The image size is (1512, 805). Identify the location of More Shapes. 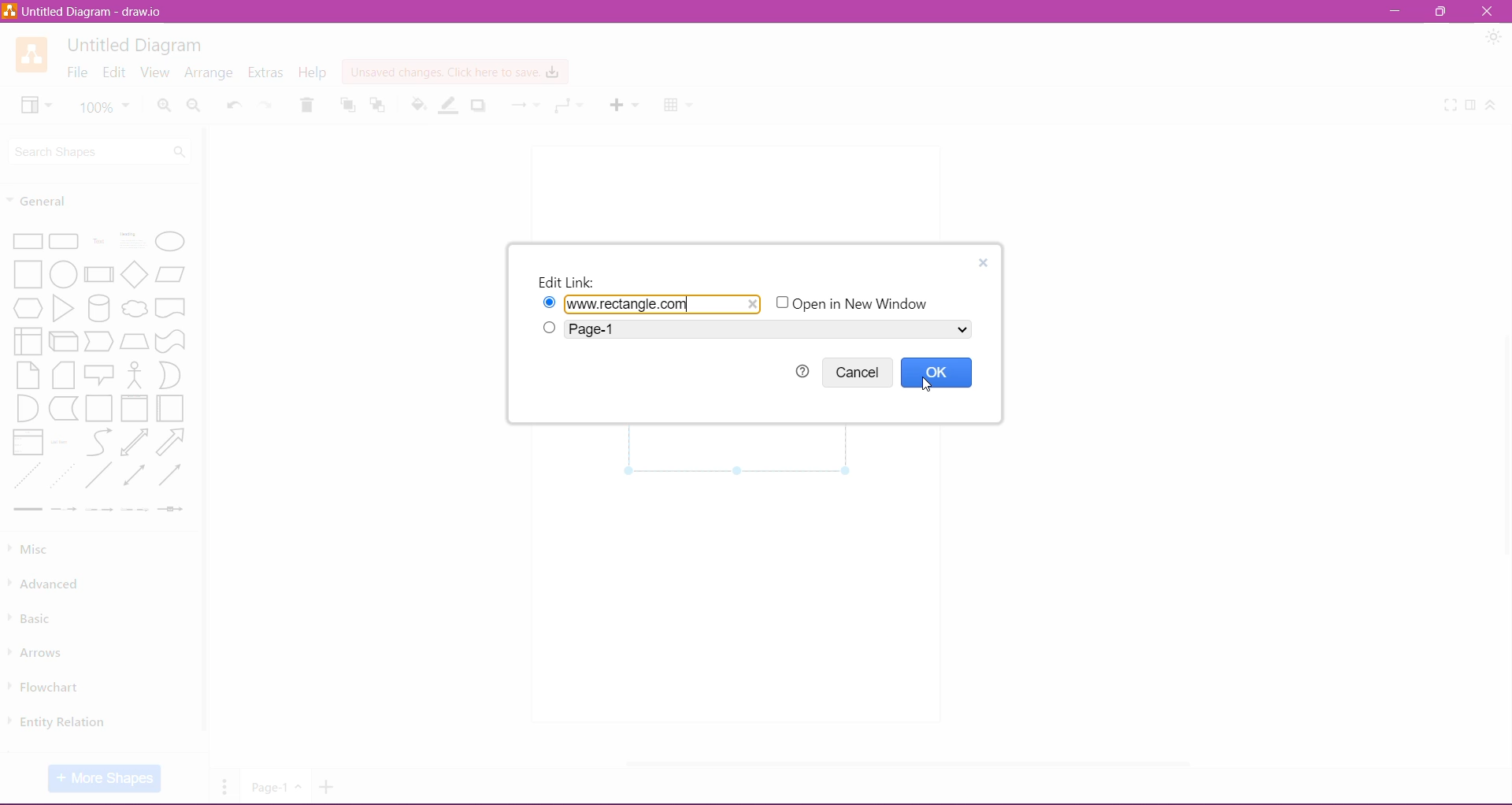
(105, 778).